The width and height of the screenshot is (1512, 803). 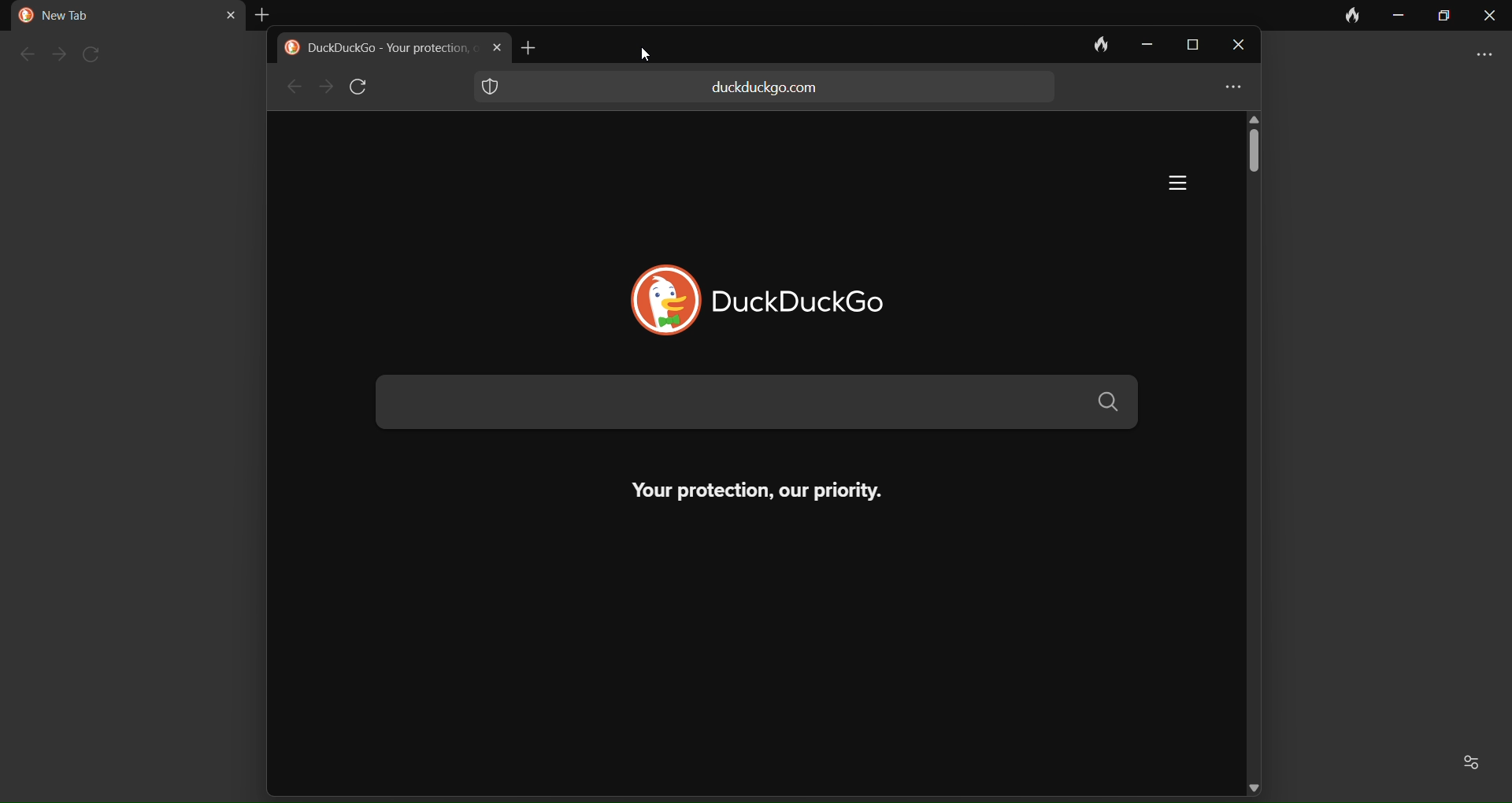 What do you see at coordinates (1263, 118) in the screenshot?
I see `up` at bounding box center [1263, 118].